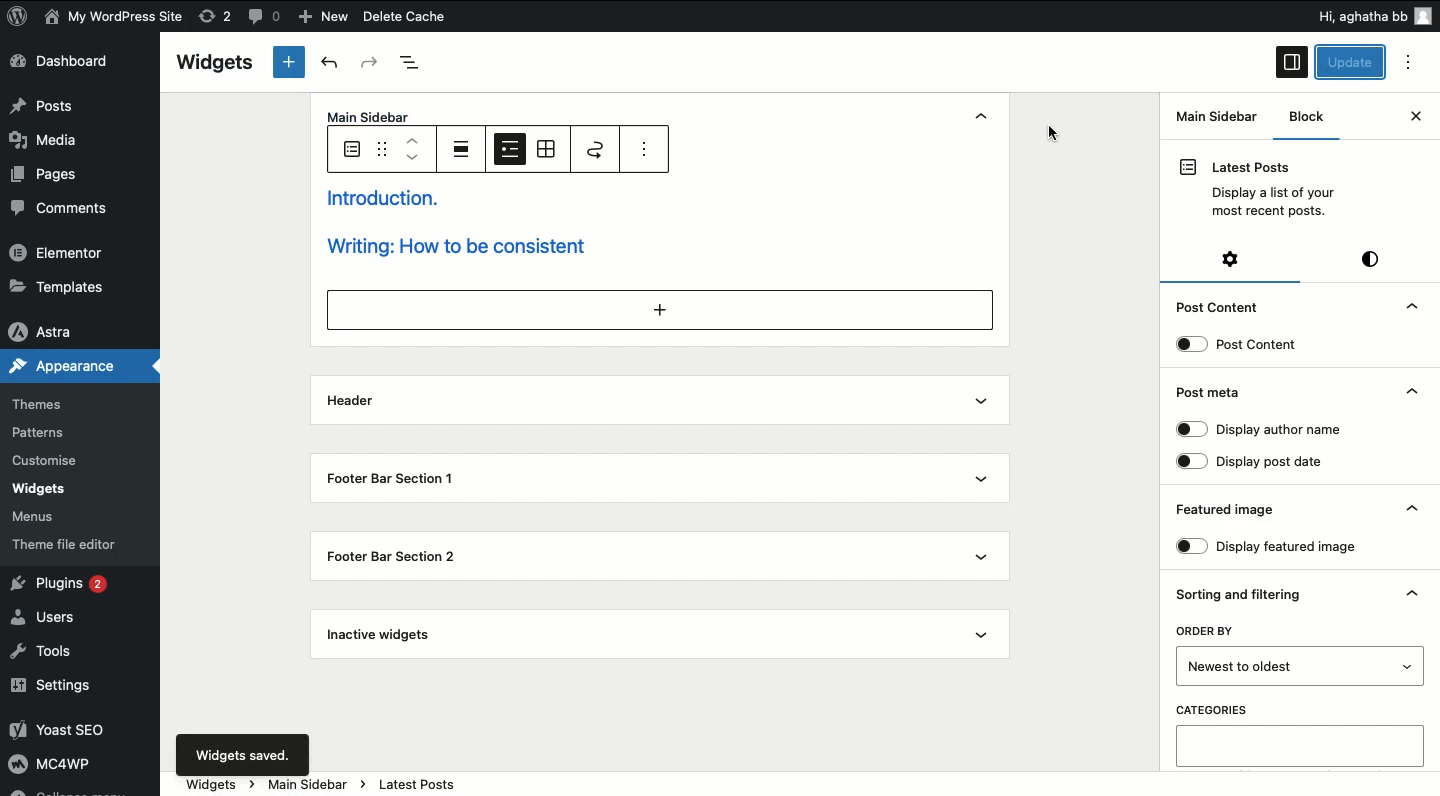 Image resolution: width=1440 pixels, height=796 pixels. I want to click on Document overview, so click(419, 67).